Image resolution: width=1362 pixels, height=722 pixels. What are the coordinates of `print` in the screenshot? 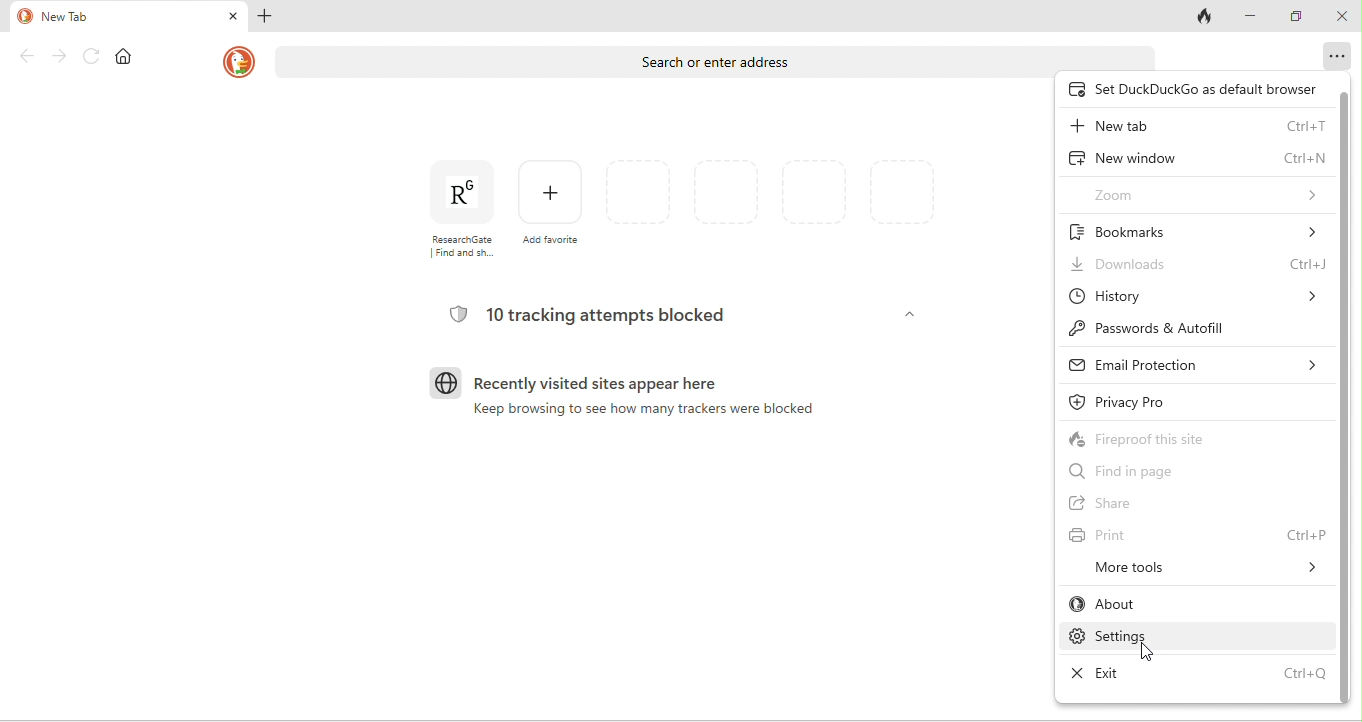 It's located at (1198, 533).